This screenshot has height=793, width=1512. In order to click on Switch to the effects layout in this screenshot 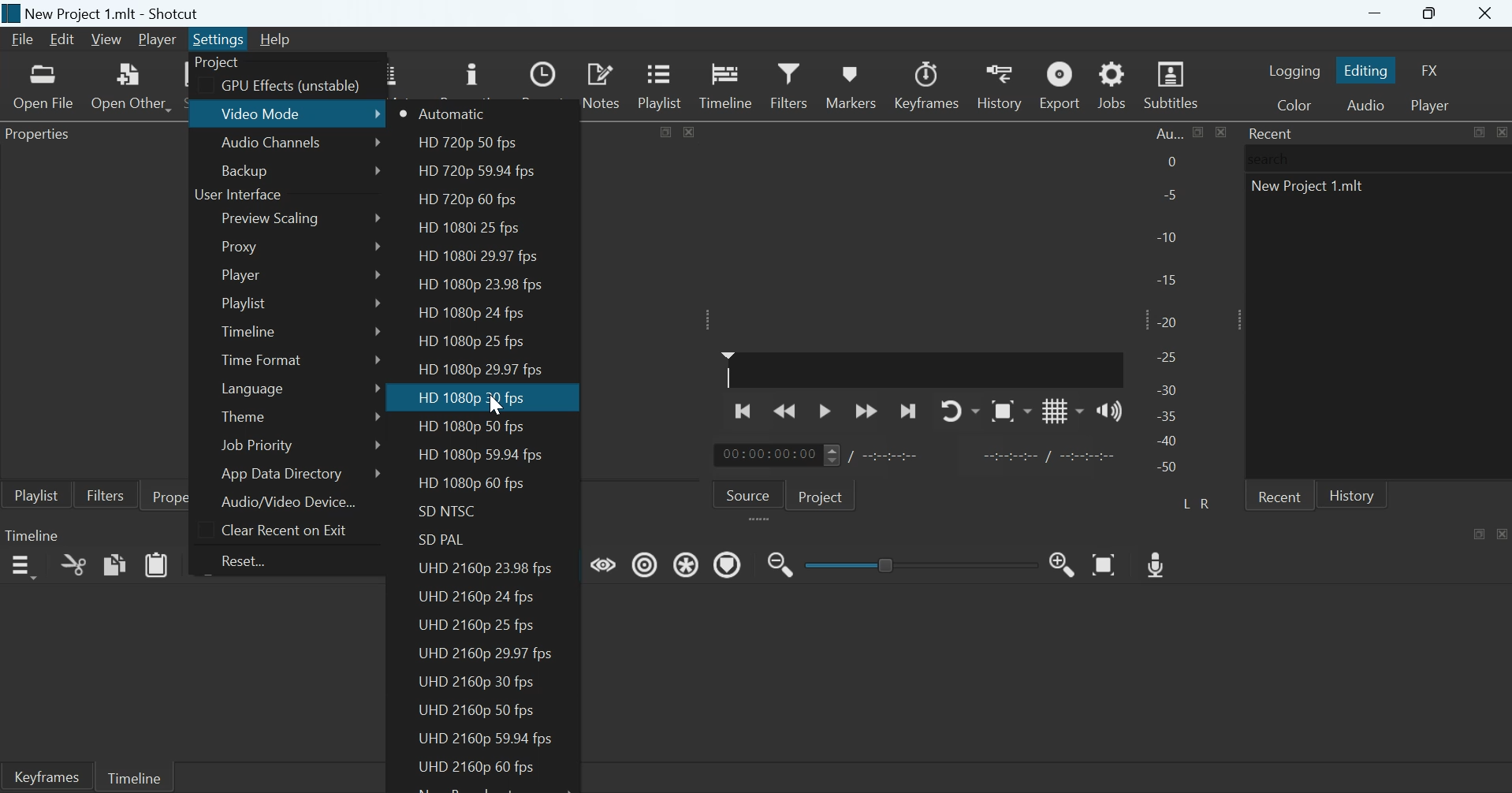, I will do `click(1431, 70)`.